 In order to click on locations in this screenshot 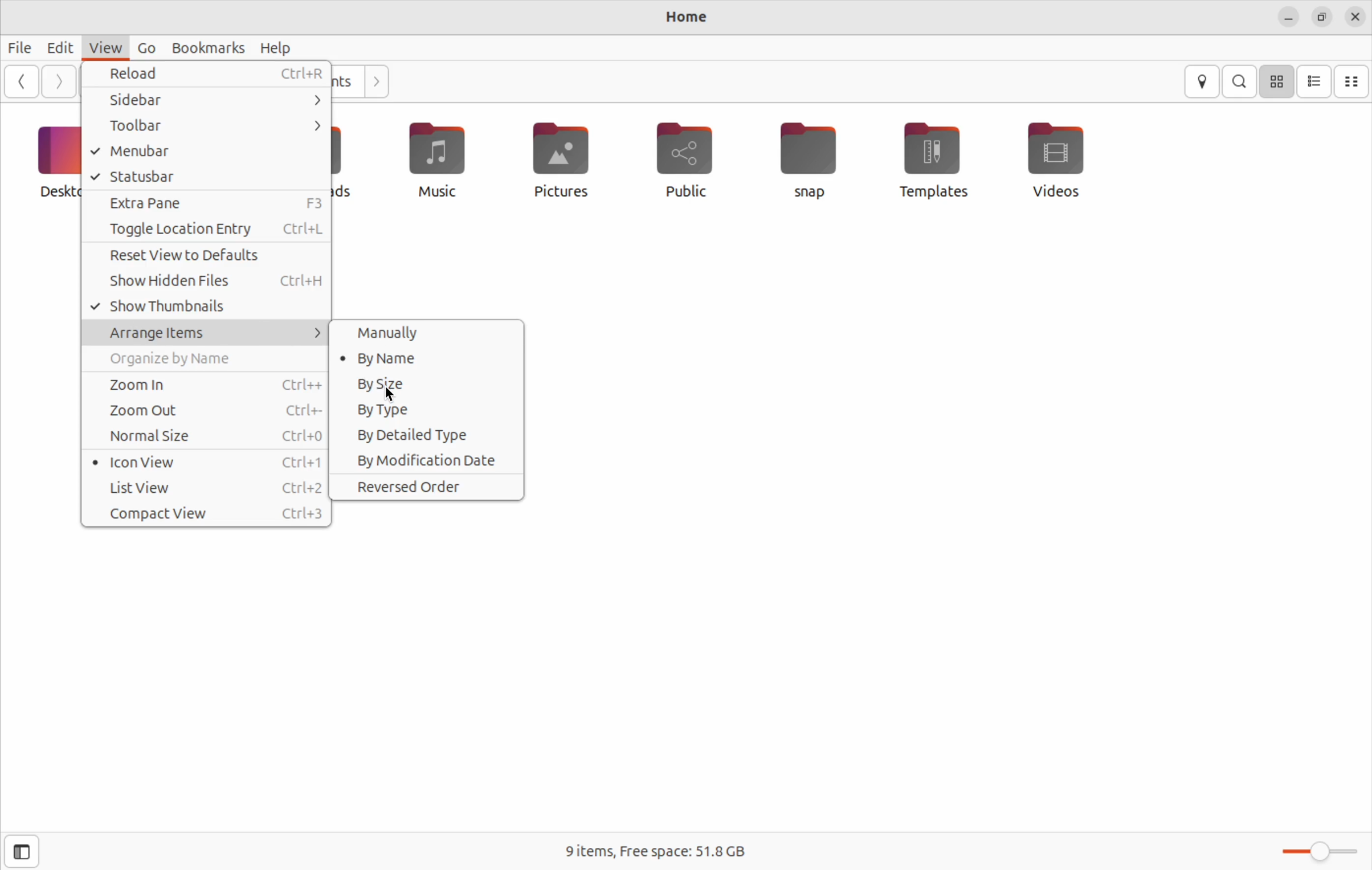, I will do `click(1201, 81)`.